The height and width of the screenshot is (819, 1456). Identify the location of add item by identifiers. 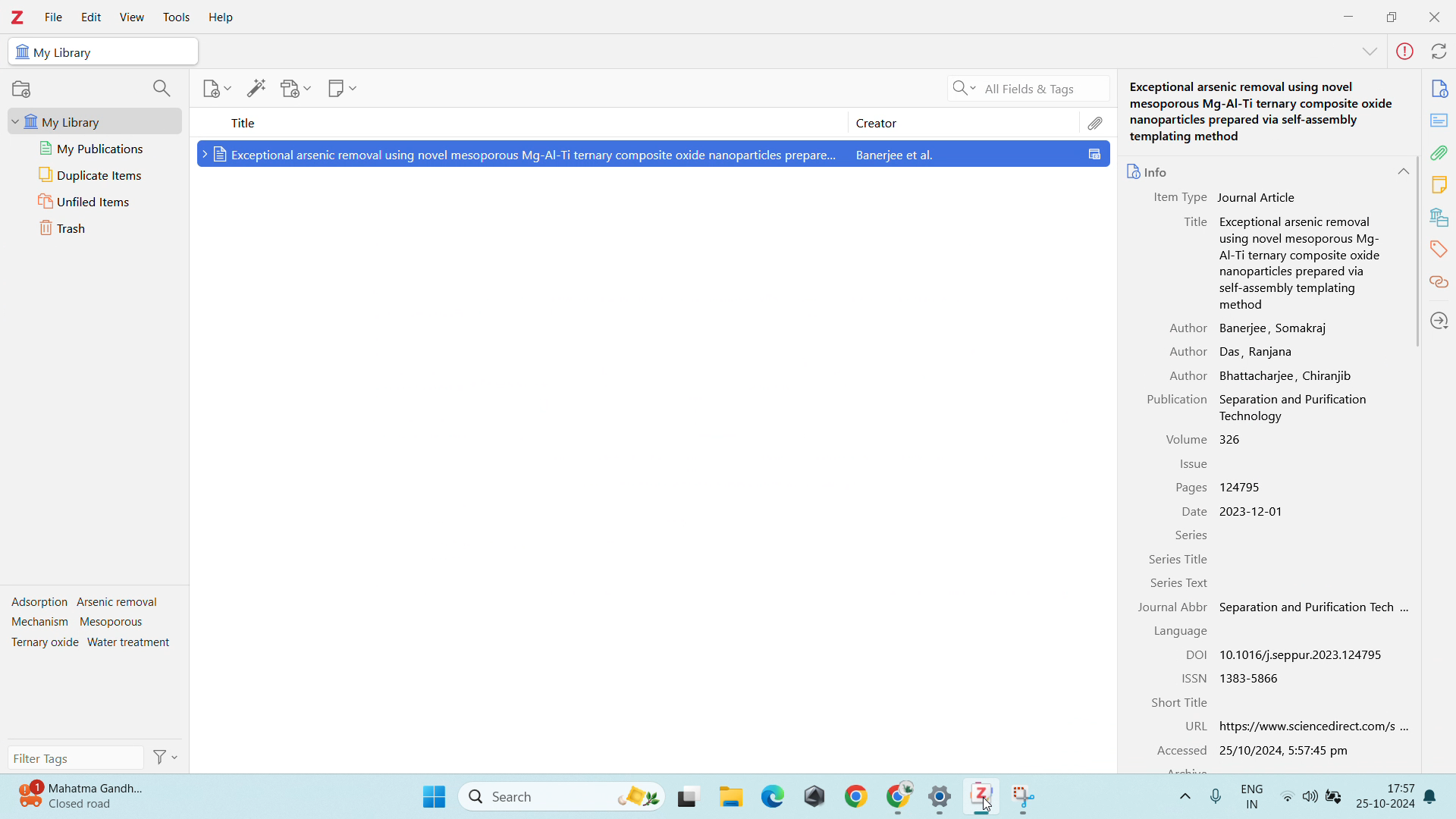
(258, 88).